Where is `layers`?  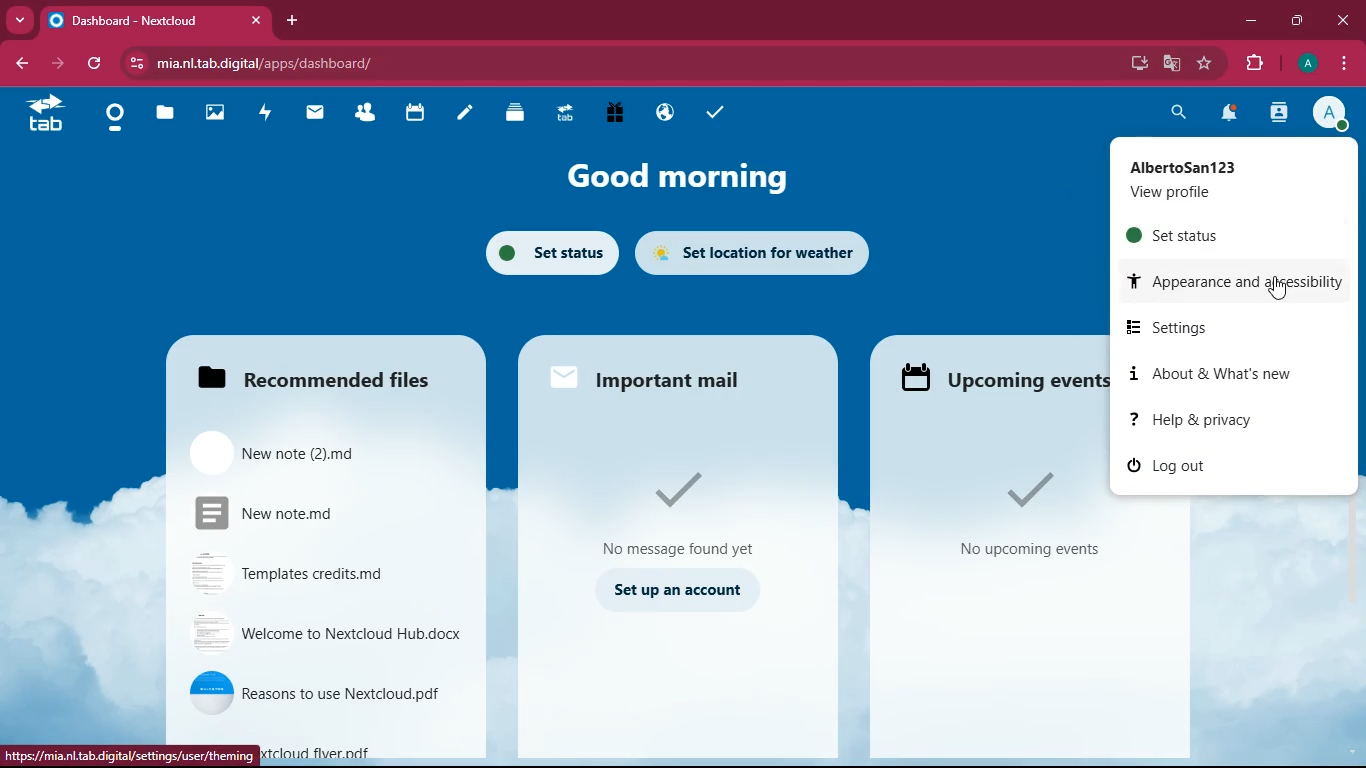 layers is located at coordinates (517, 115).